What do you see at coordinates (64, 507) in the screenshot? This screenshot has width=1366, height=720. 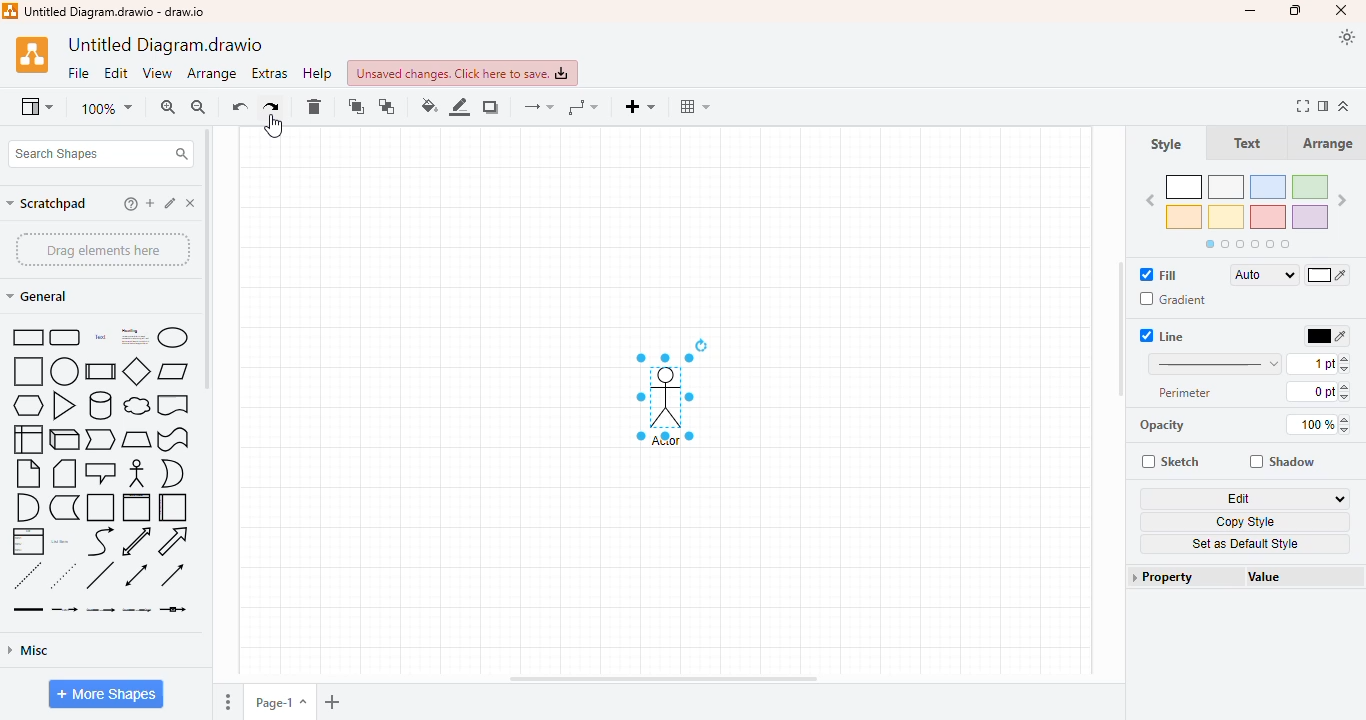 I see `data storage` at bounding box center [64, 507].